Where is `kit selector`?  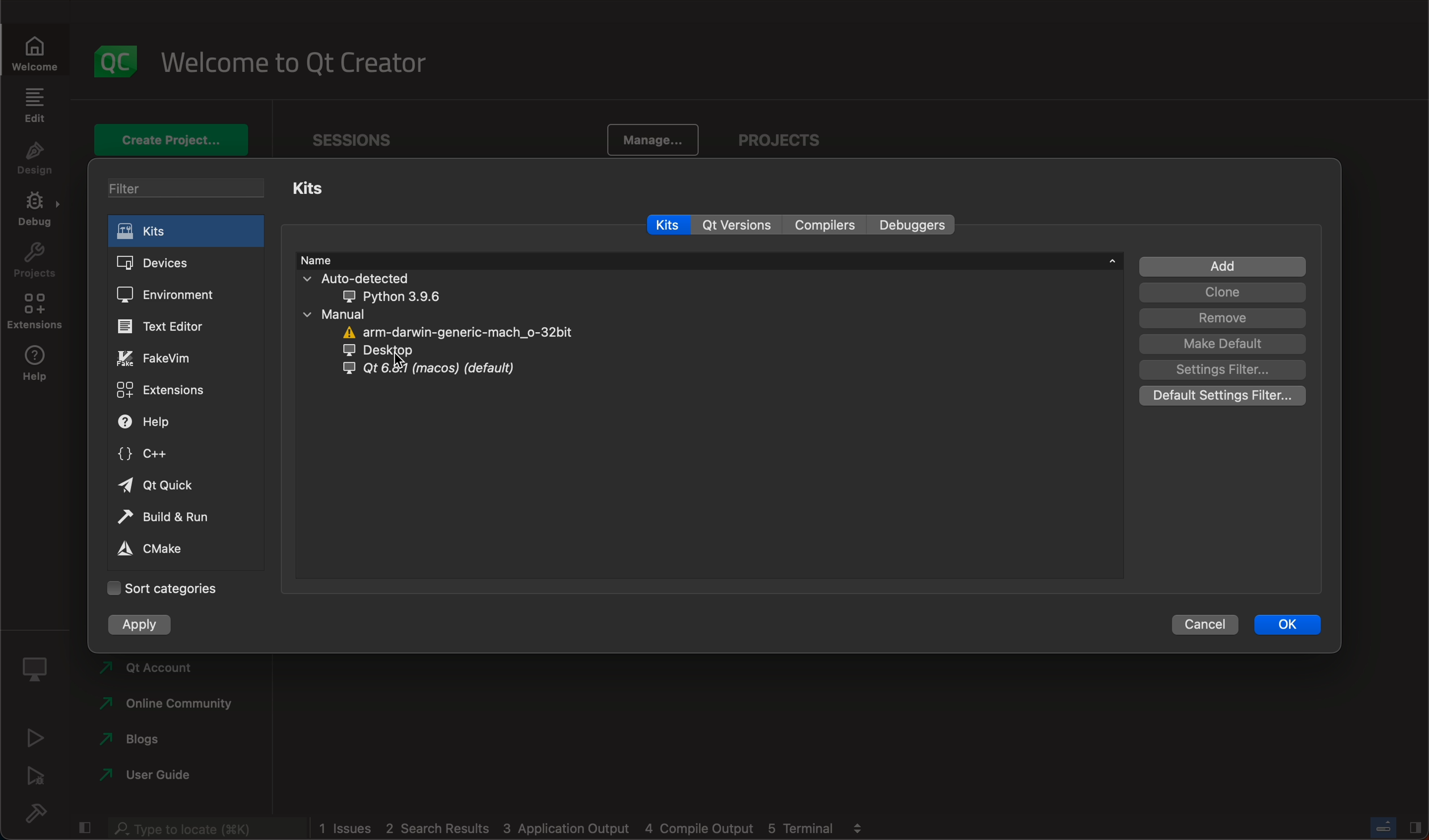
kit selector is located at coordinates (36, 670).